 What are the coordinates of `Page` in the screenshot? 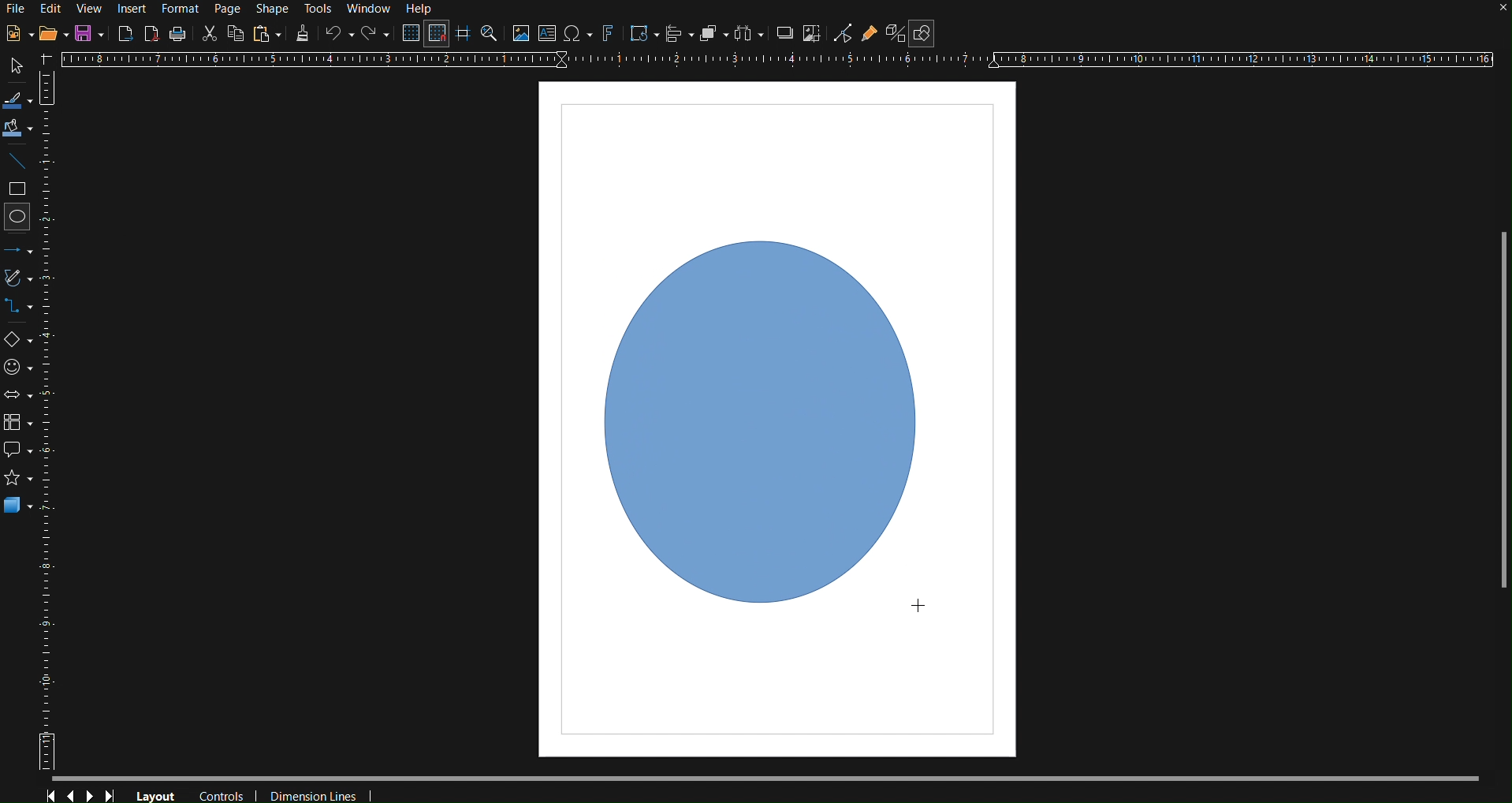 It's located at (230, 9).